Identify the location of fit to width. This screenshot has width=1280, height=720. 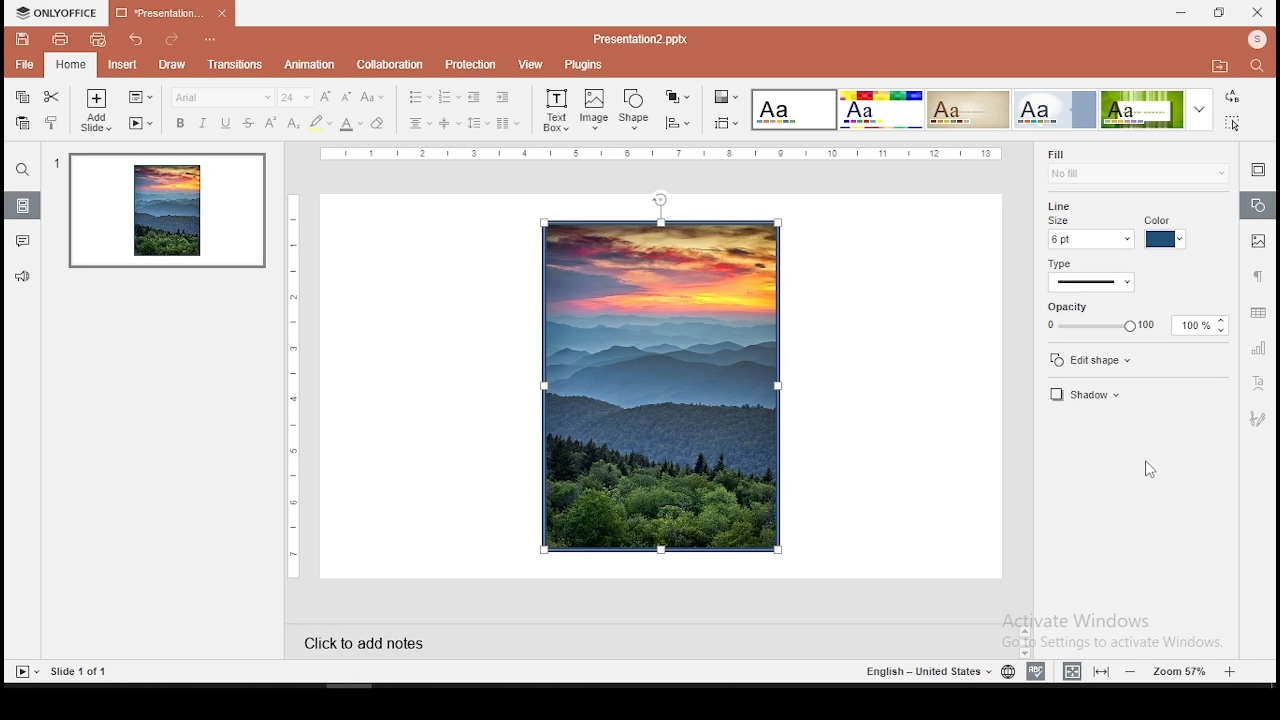
(1070, 670).